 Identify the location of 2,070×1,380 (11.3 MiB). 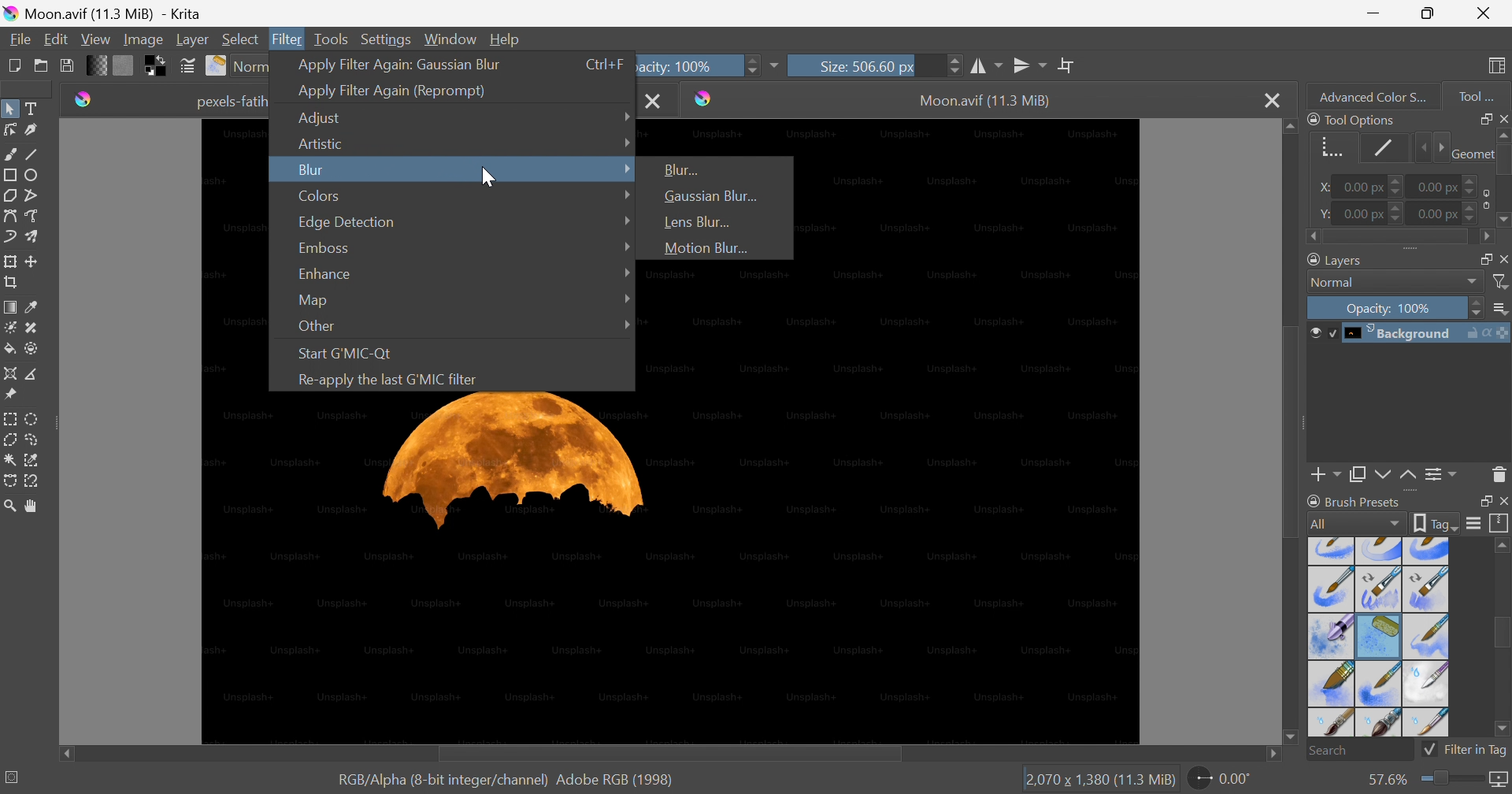
(1099, 781).